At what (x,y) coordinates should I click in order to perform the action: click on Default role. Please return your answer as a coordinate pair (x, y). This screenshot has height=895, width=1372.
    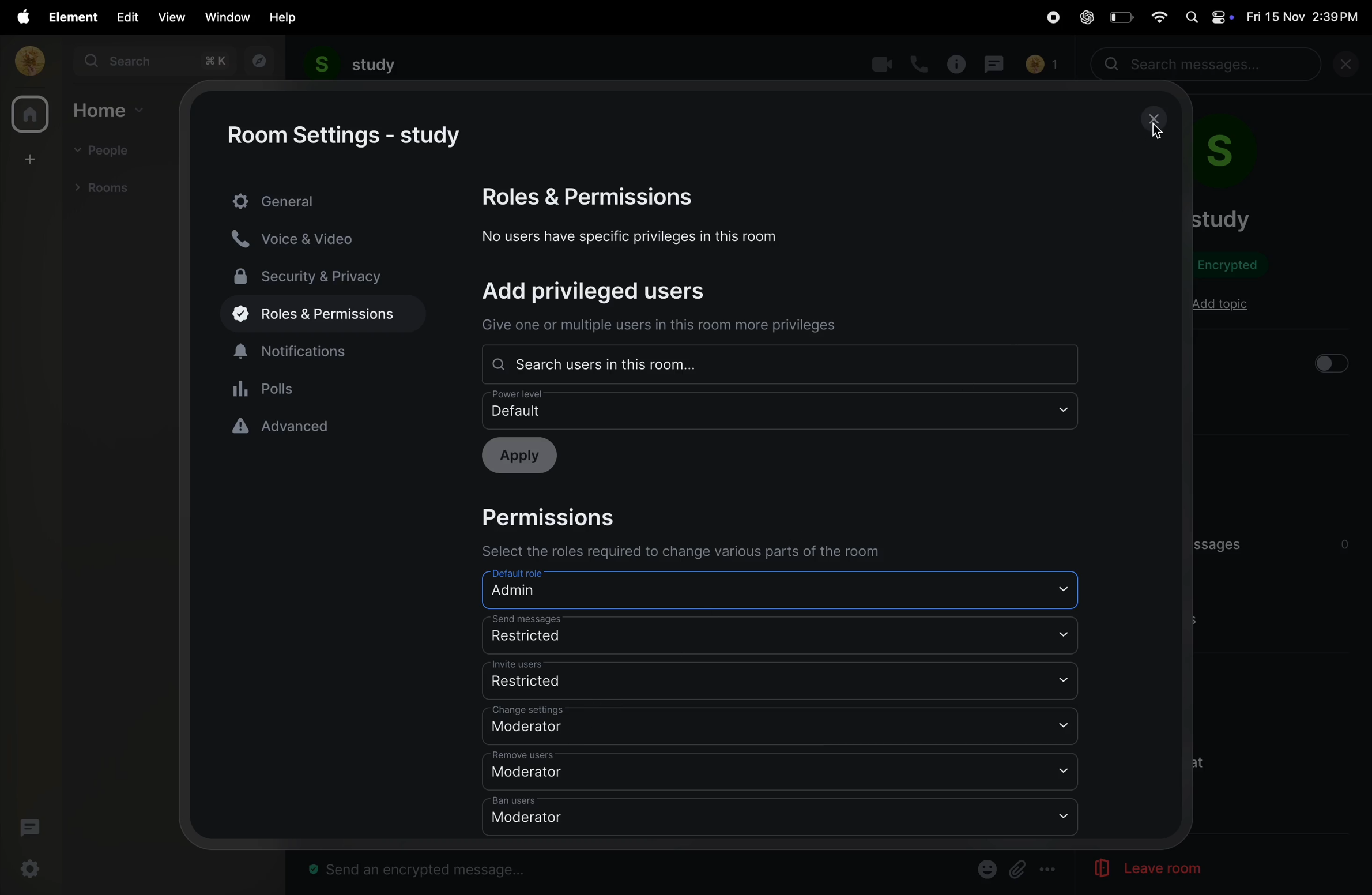
    Looking at the image, I should click on (775, 589).